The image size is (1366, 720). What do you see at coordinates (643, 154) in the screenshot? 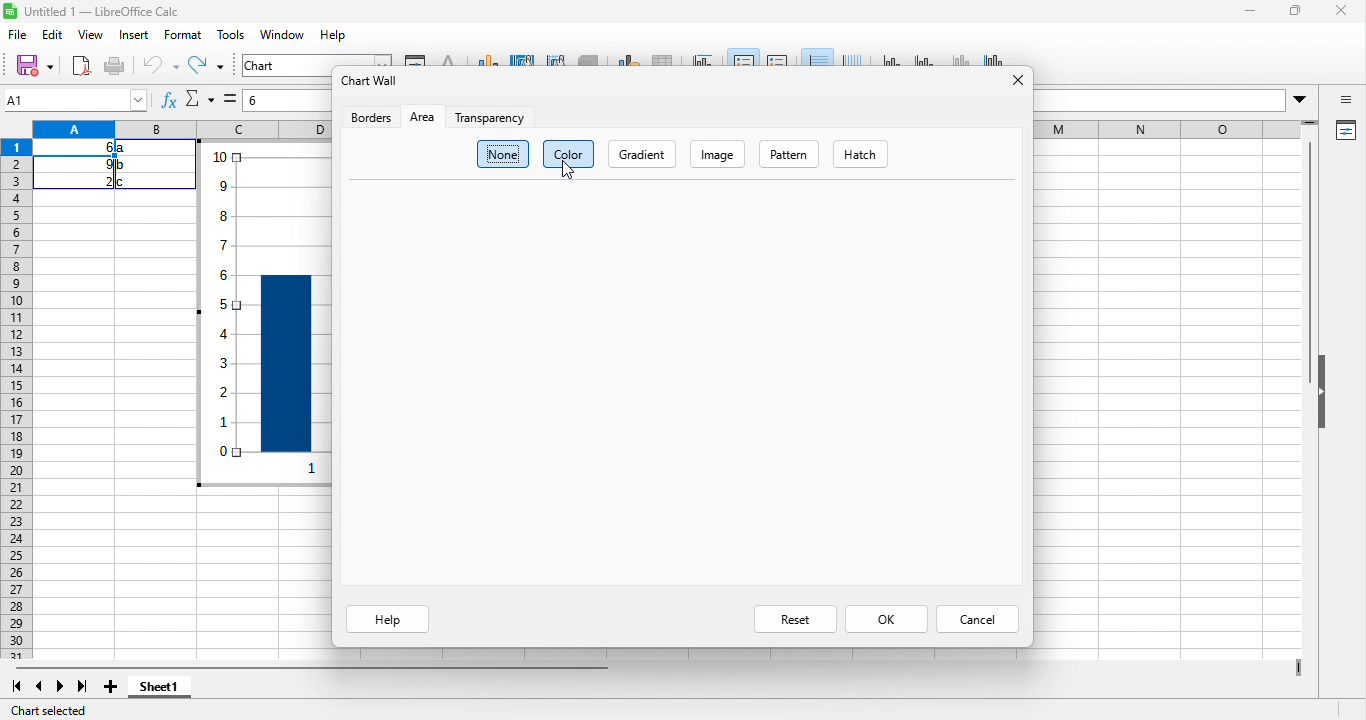
I see `gradient` at bounding box center [643, 154].